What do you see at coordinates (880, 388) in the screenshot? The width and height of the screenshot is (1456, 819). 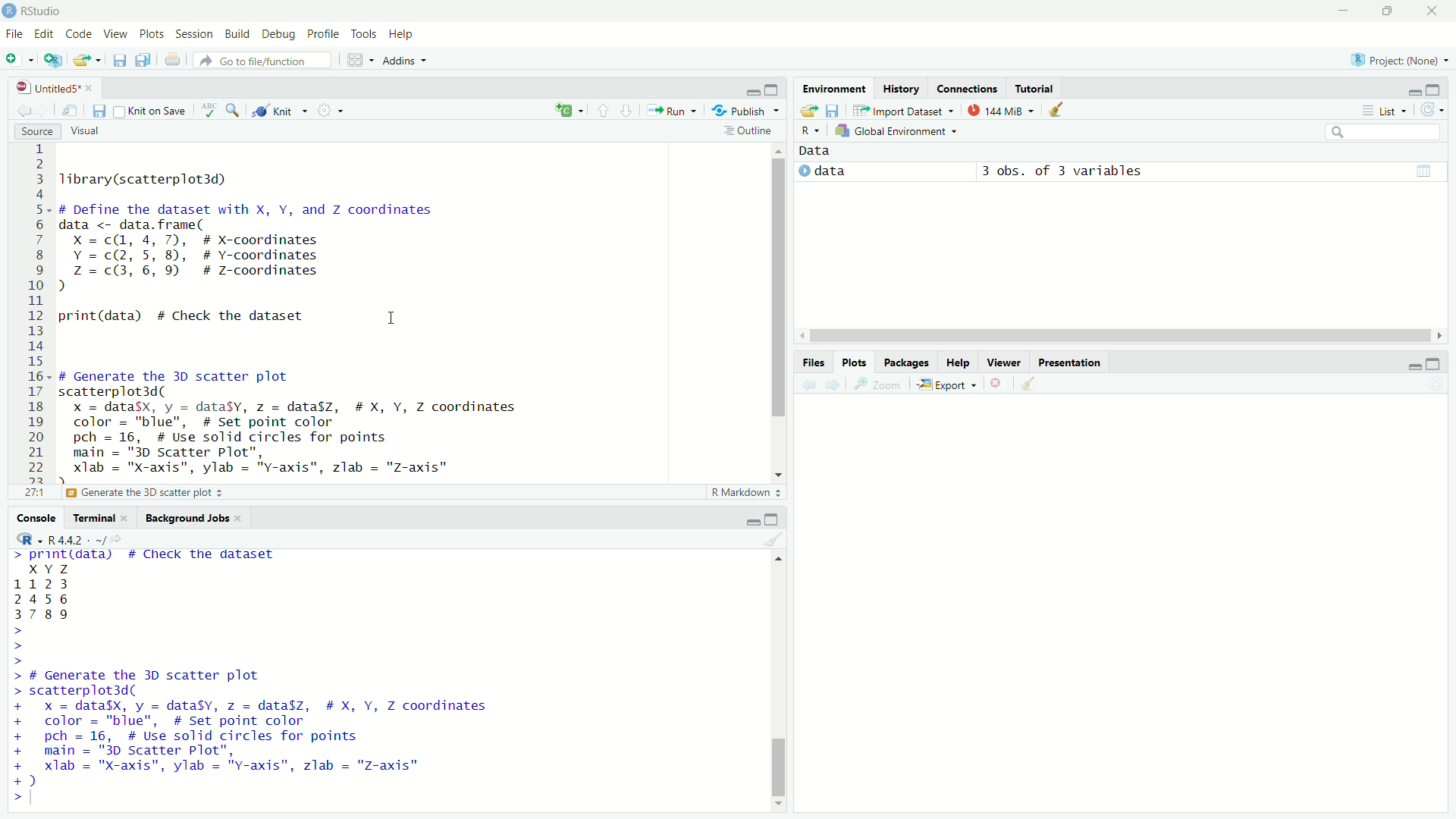 I see `view a larger version of the plot in a new window` at bounding box center [880, 388].